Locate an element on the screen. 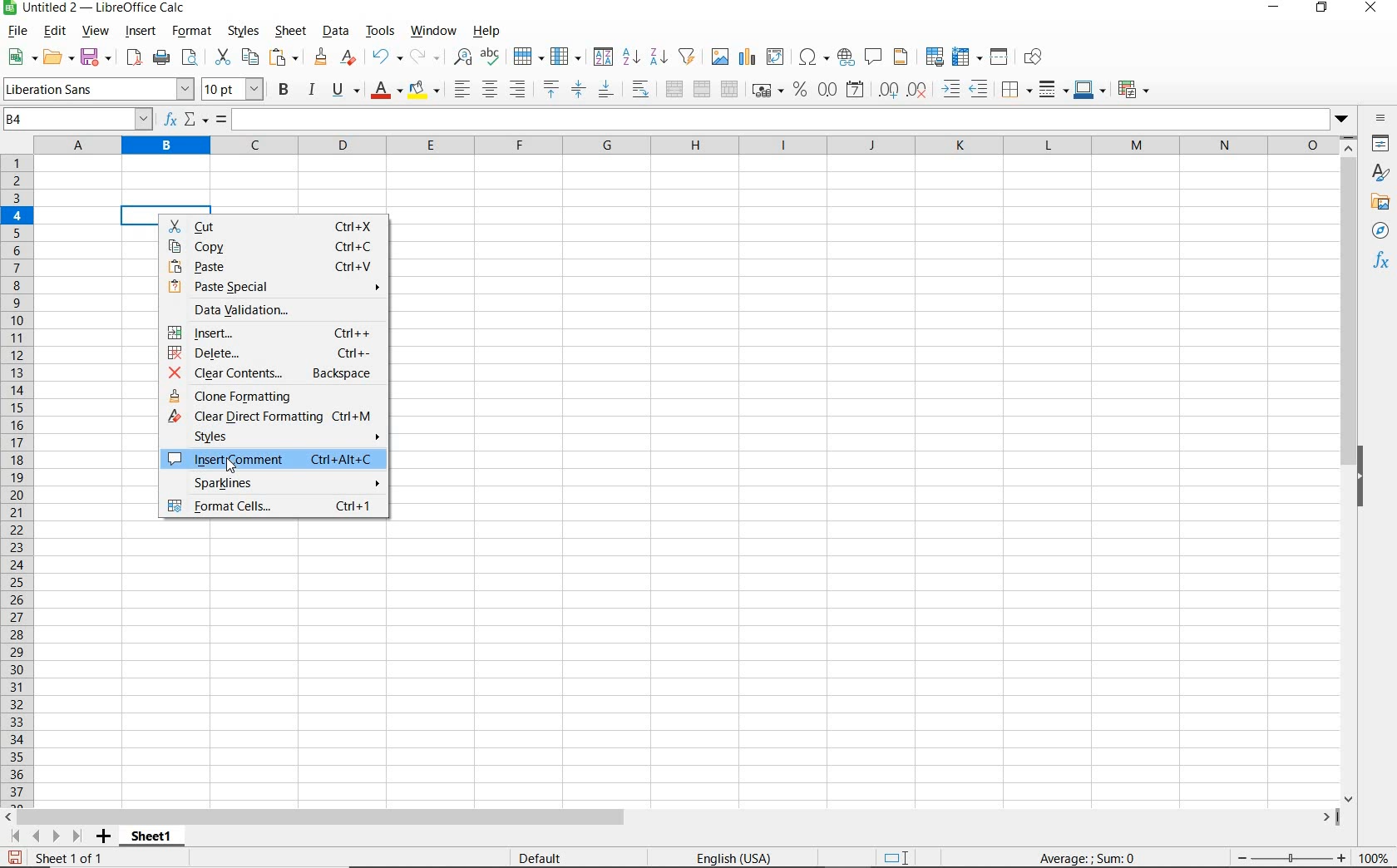 This screenshot has height=868, width=1397. copy is located at coordinates (274, 247).